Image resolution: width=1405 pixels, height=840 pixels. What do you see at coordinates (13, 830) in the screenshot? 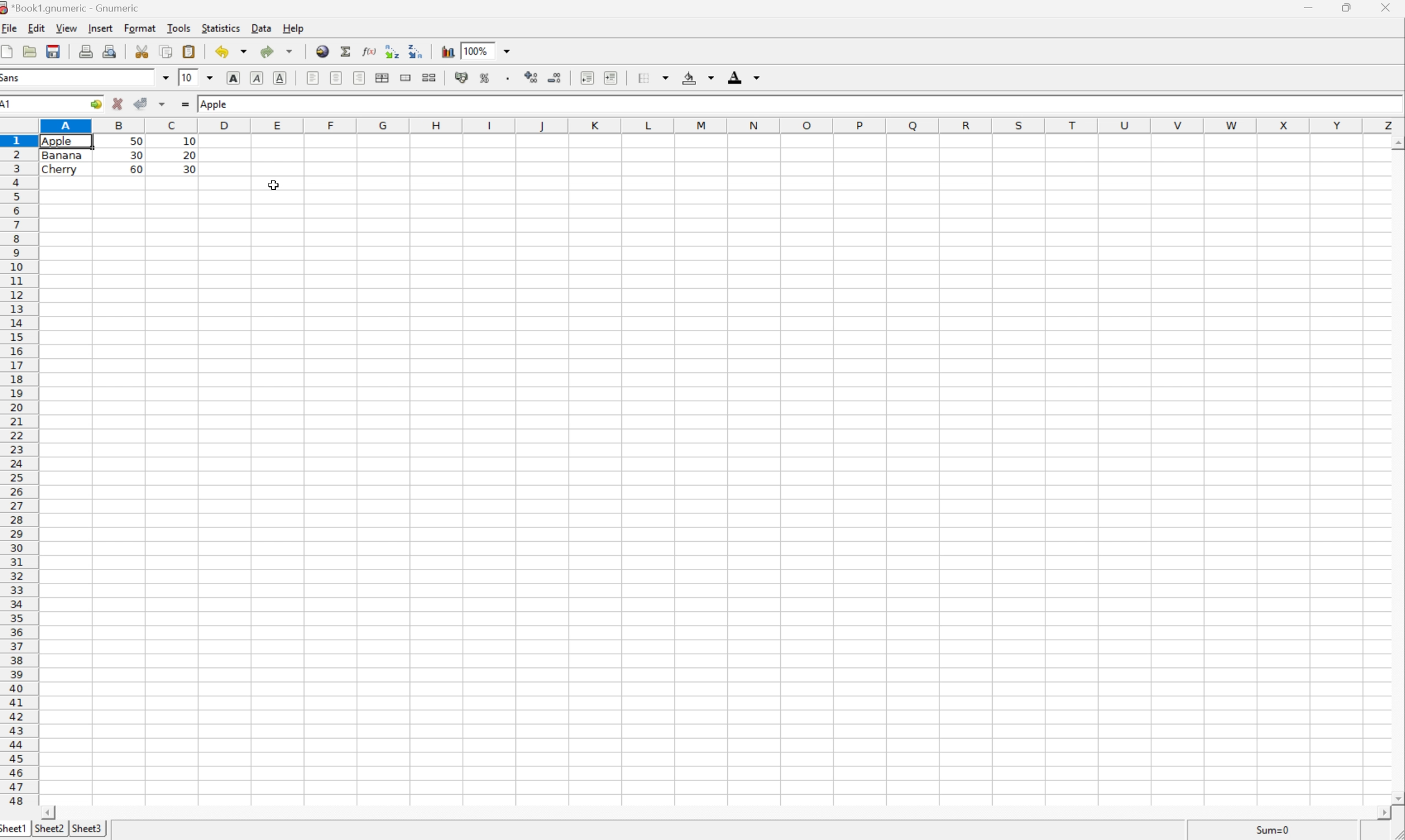
I see `sheet1` at bounding box center [13, 830].